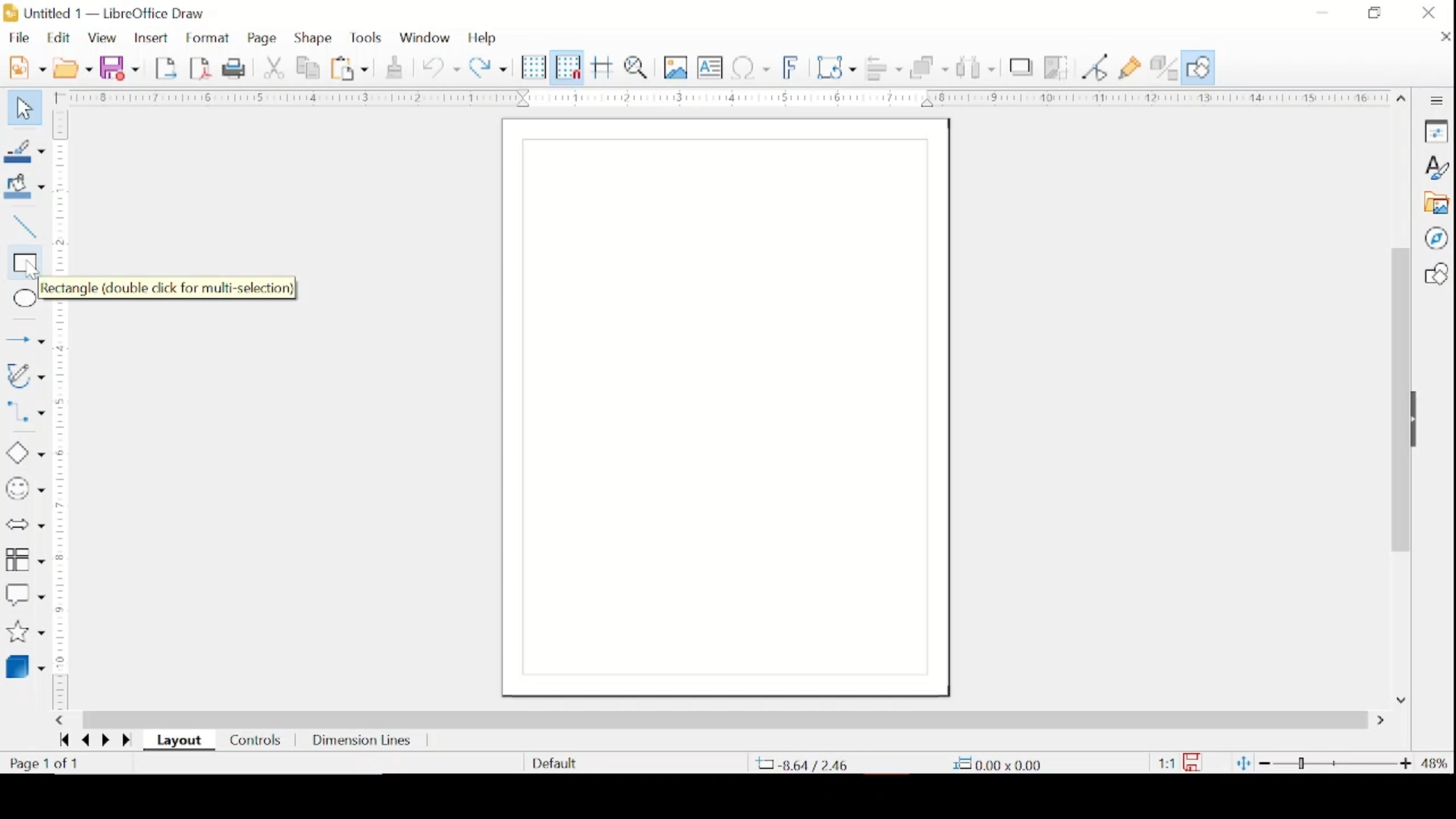 This screenshot has height=819, width=1456. Describe the element at coordinates (792, 66) in the screenshot. I see `insert fontwork text` at that location.